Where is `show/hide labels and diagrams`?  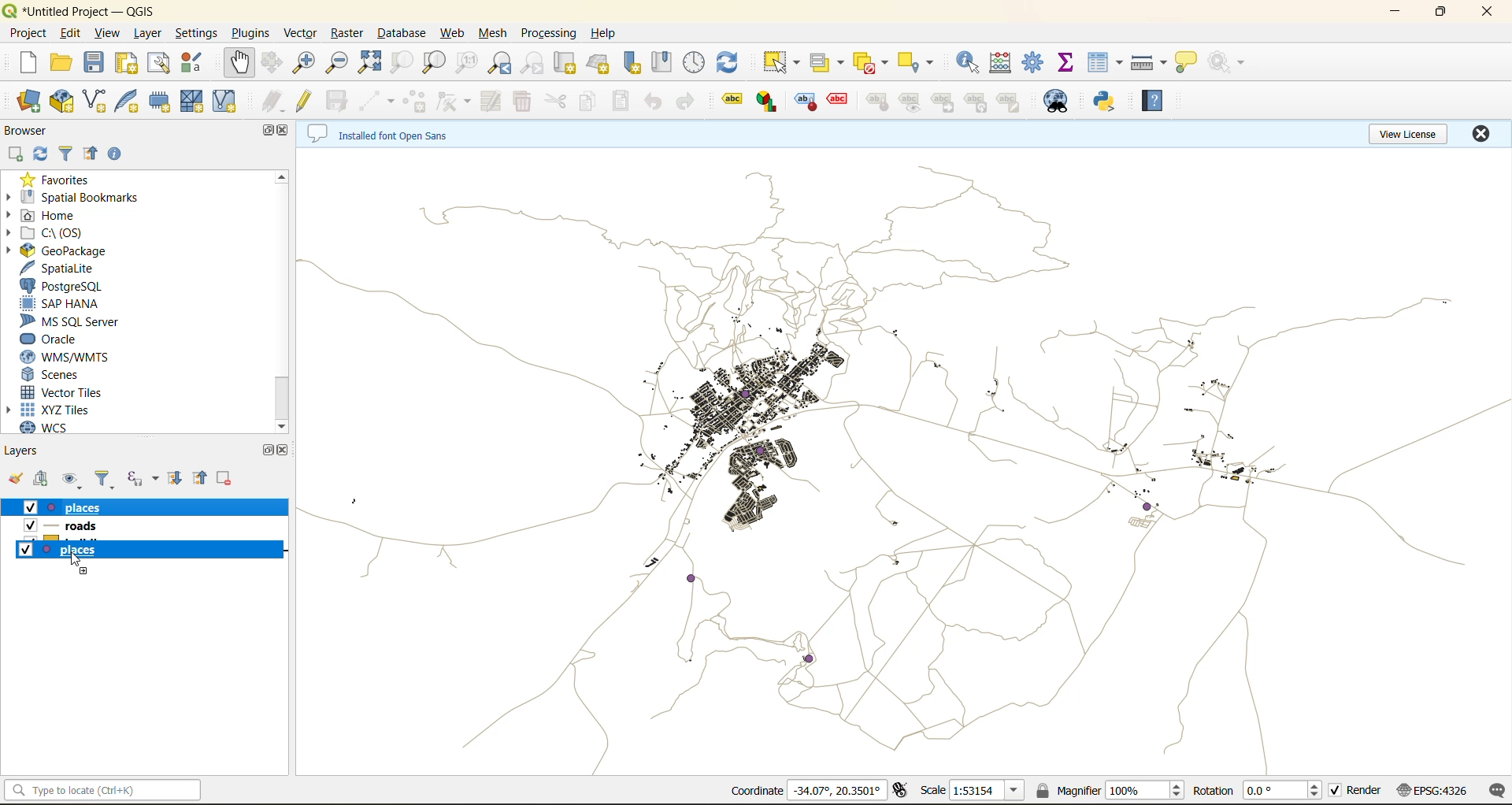
show/hide labels and diagrams is located at coordinates (913, 101).